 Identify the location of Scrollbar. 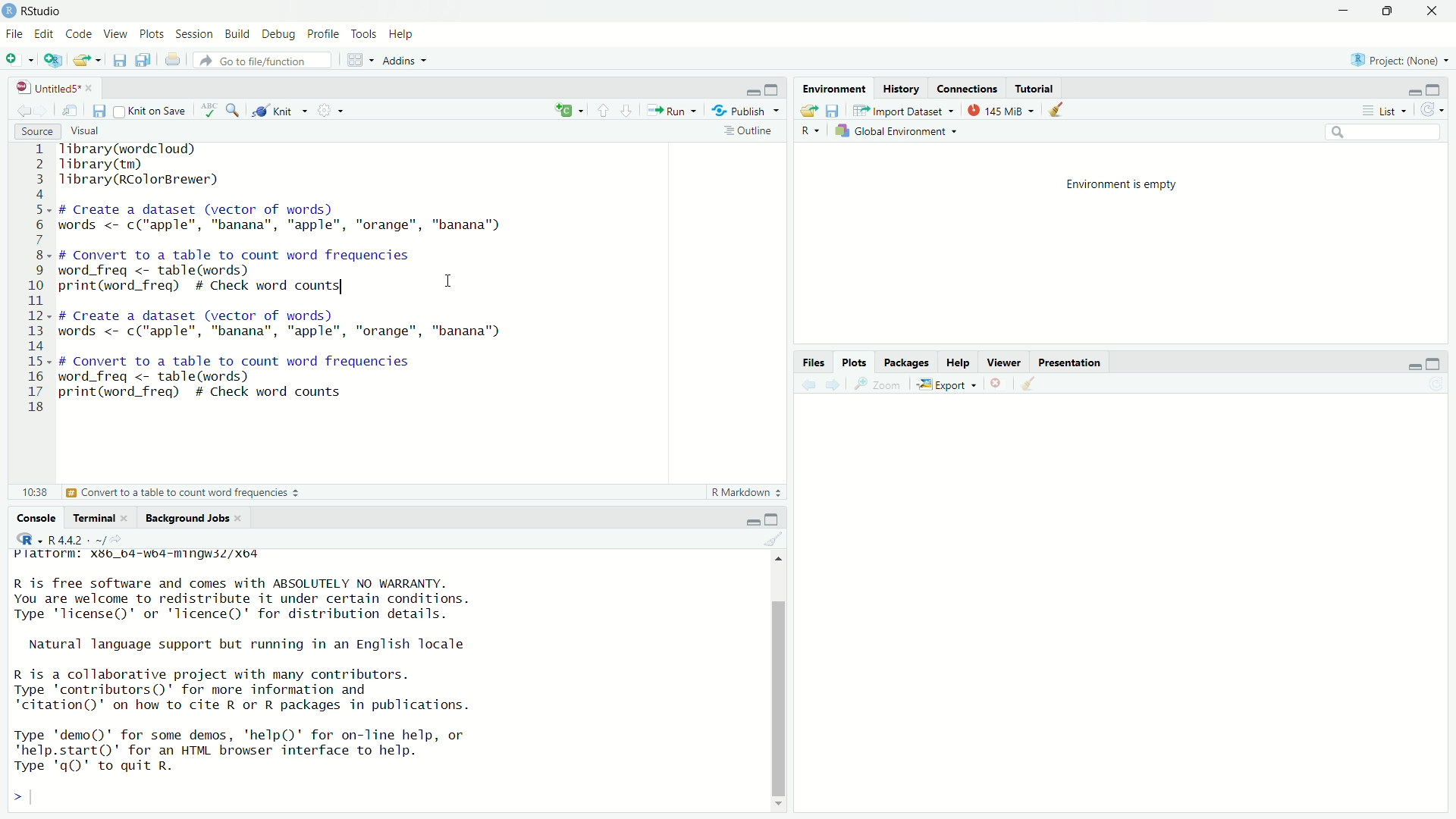
(780, 682).